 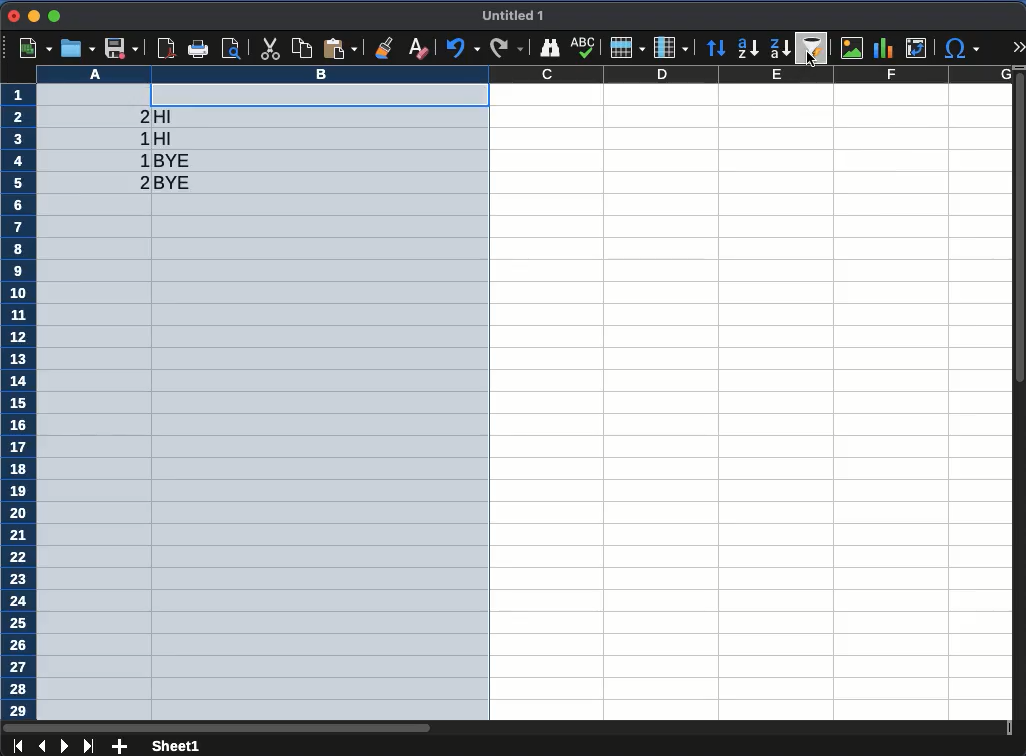 I want to click on cursor, so click(x=812, y=60).